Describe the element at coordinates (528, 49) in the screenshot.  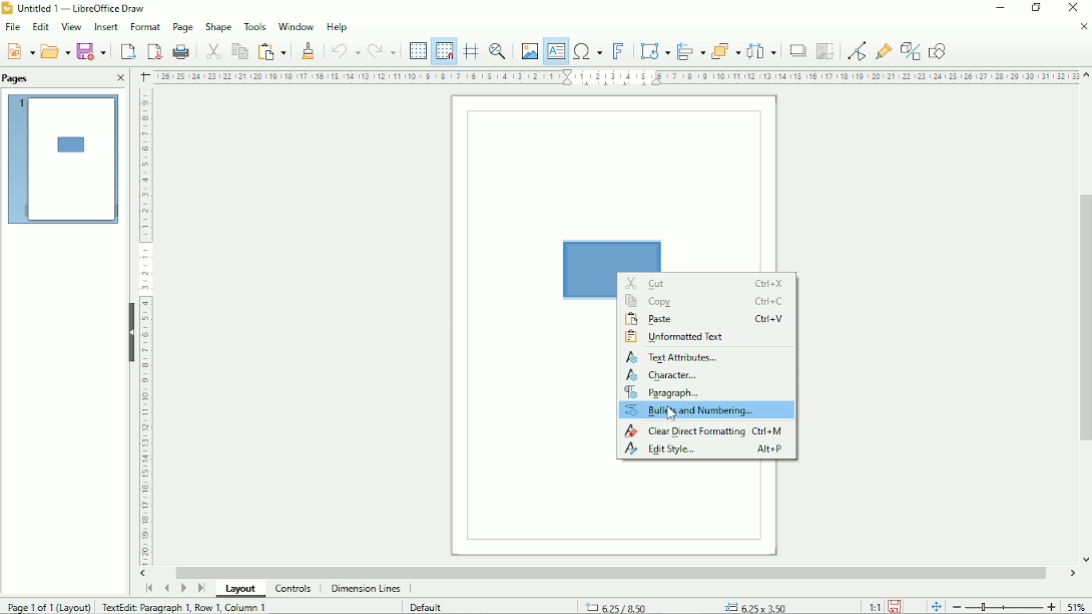
I see `Insert image` at that location.